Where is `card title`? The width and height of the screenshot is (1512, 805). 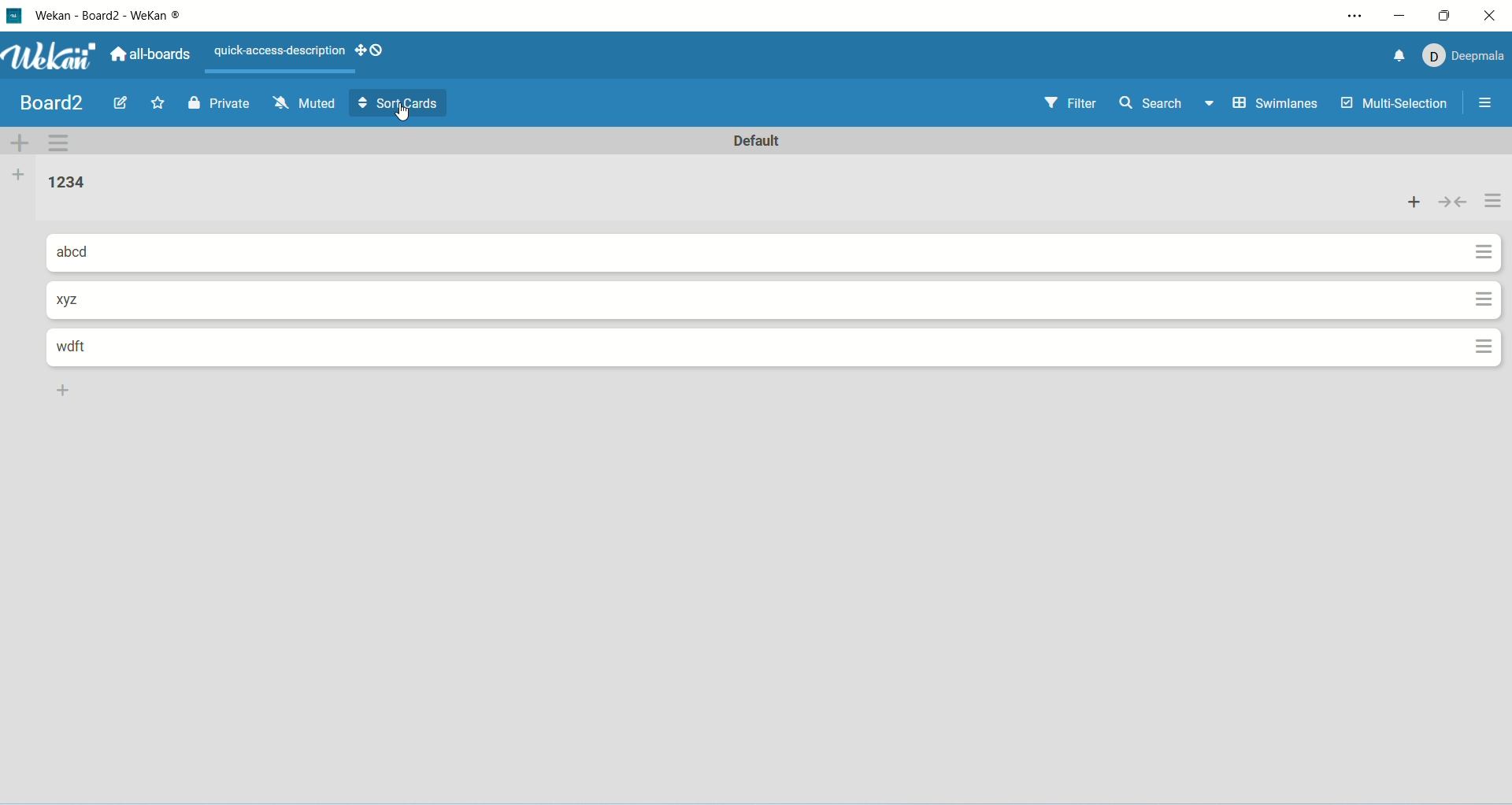
card title is located at coordinates (84, 349).